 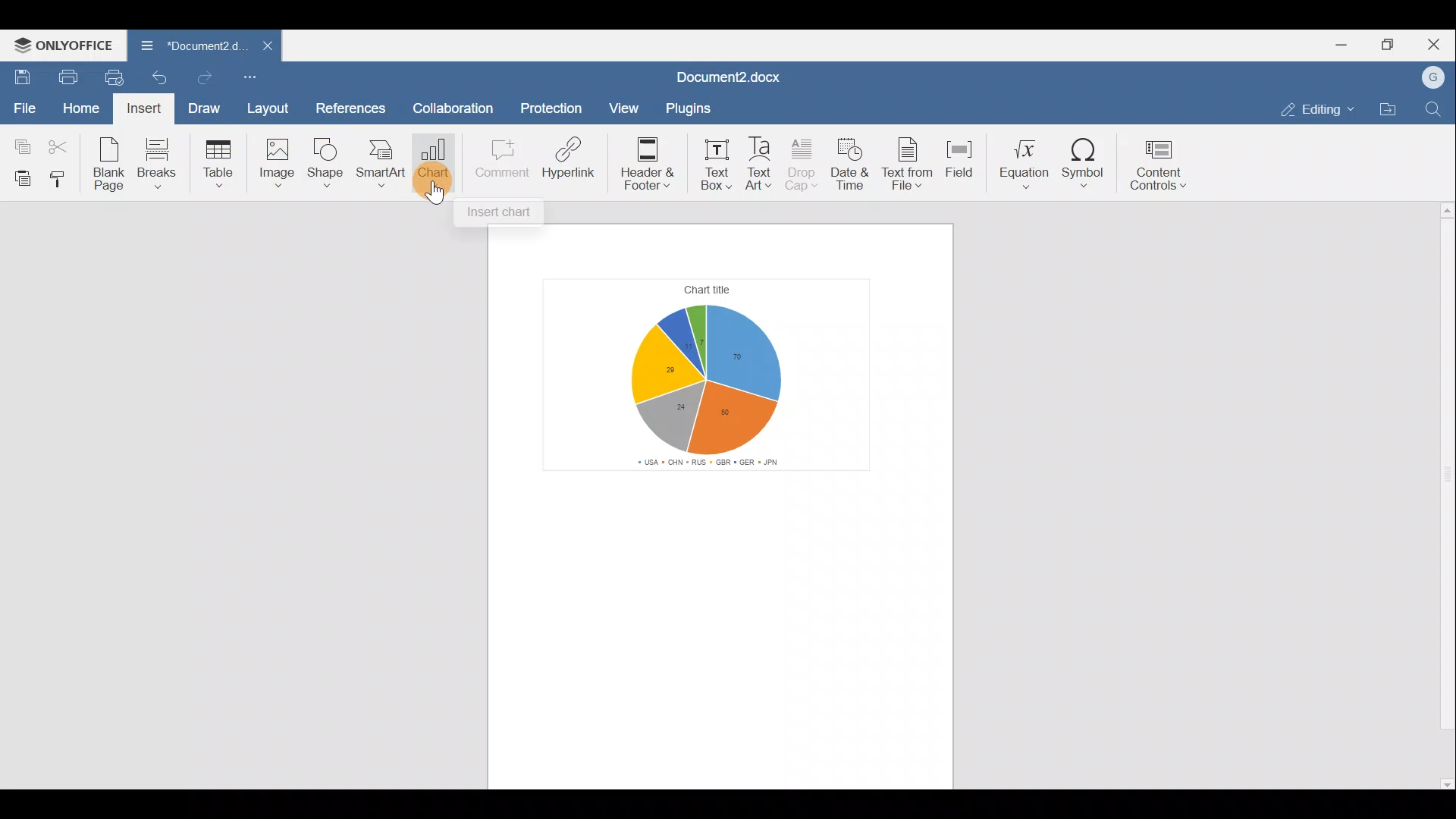 I want to click on Find, so click(x=1434, y=109).